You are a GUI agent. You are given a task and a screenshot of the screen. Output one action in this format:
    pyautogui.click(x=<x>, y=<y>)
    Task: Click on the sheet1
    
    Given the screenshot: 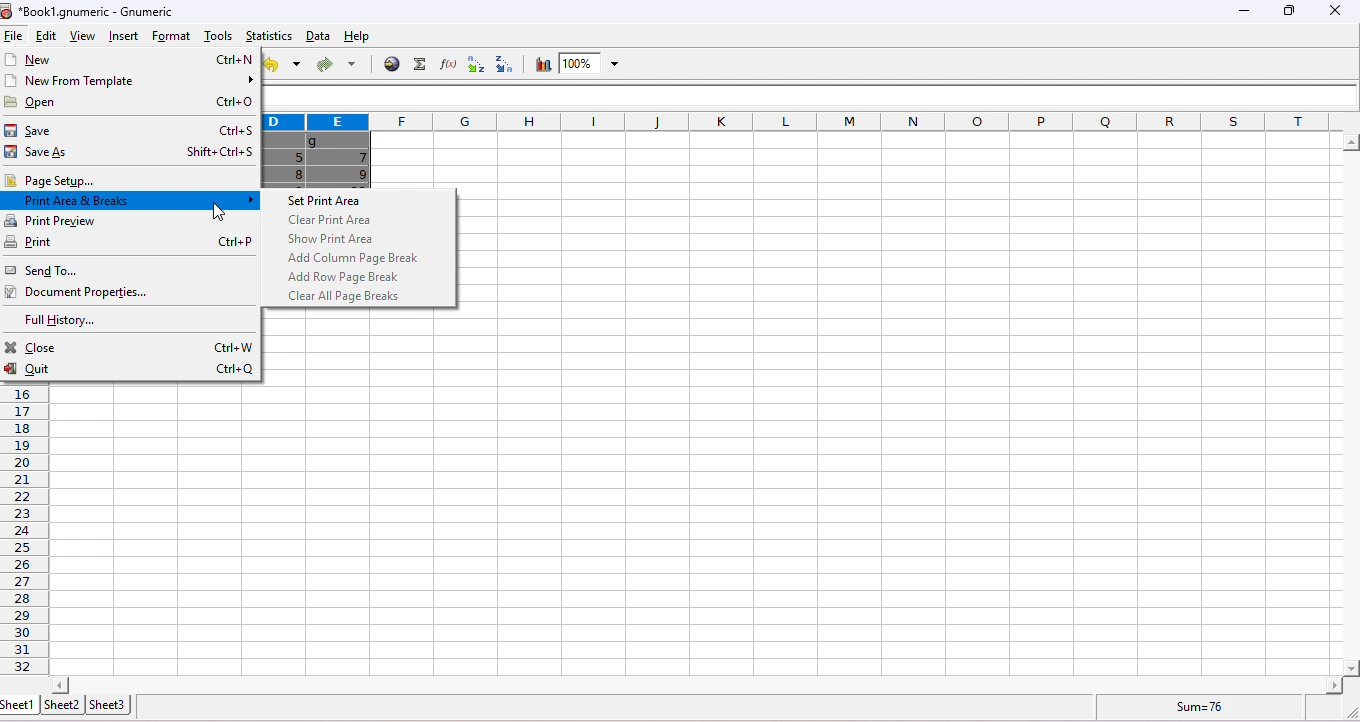 What is the action you would take?
    pyautogui.click(x=19, y=705)
    